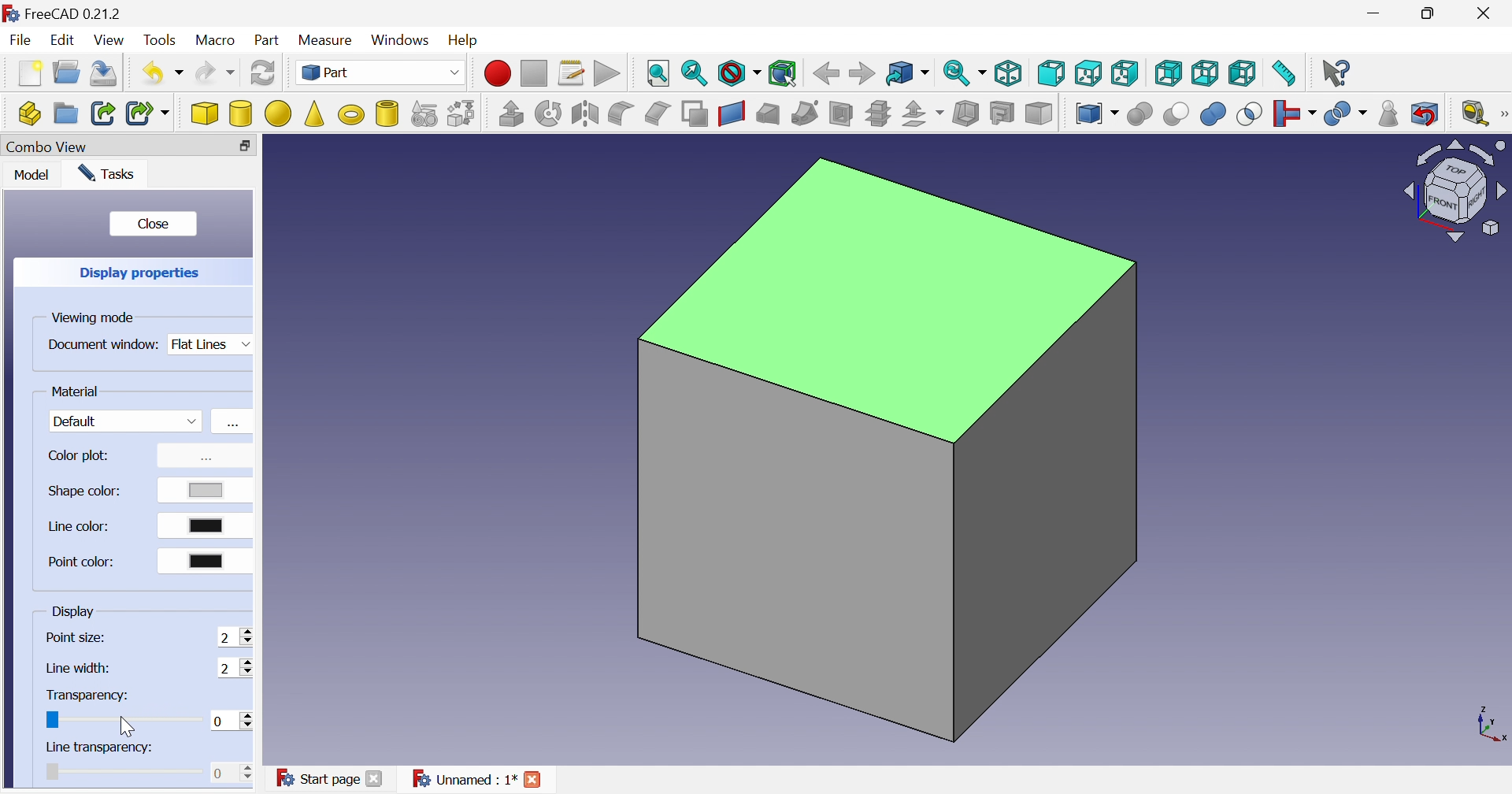 The image size is (1512, 794). I want to click on Viewing angle, so click(1451, 191).